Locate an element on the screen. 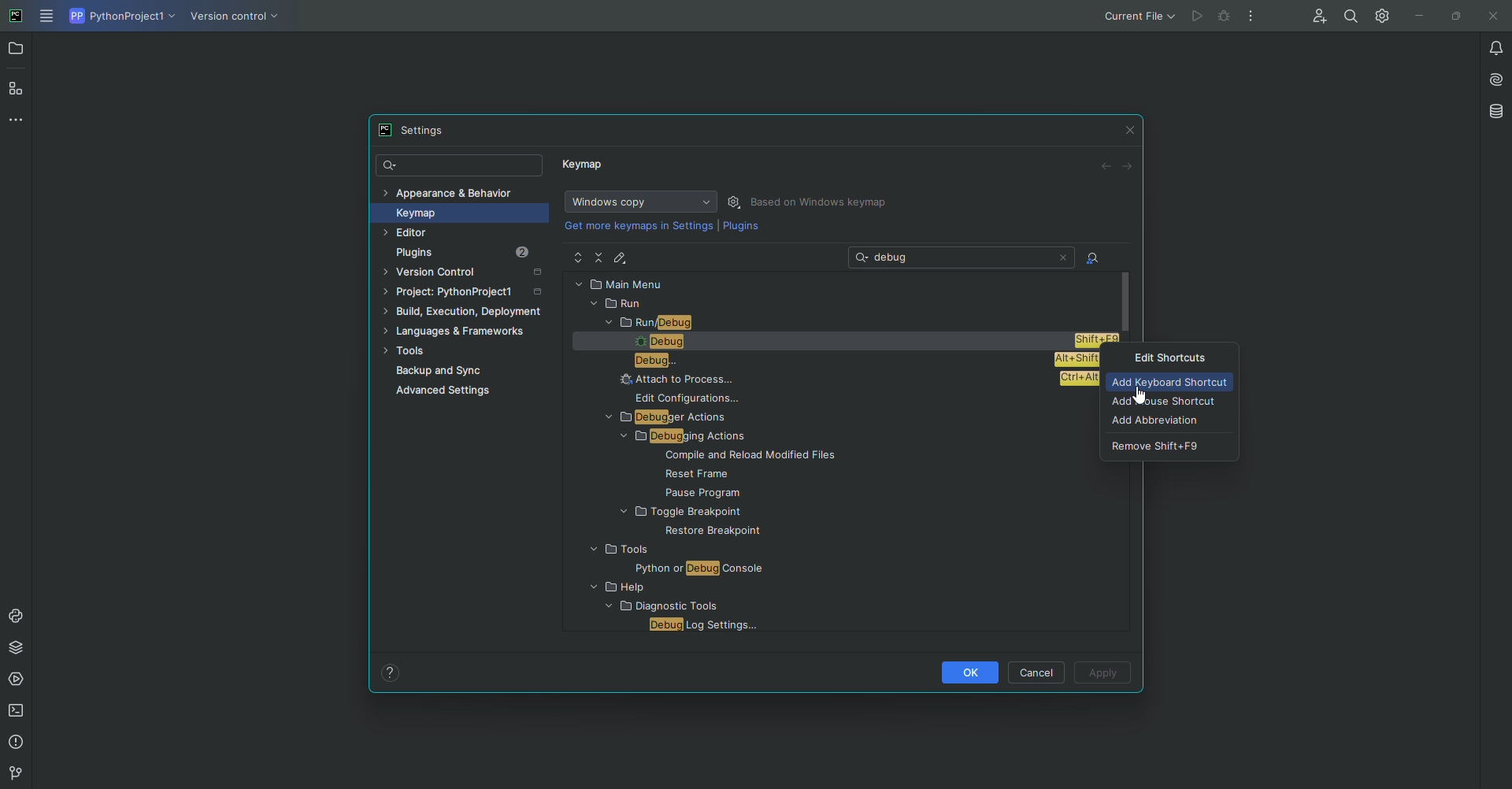  EDIT CONFIGURATIONS is located at coordinates (696, 398).